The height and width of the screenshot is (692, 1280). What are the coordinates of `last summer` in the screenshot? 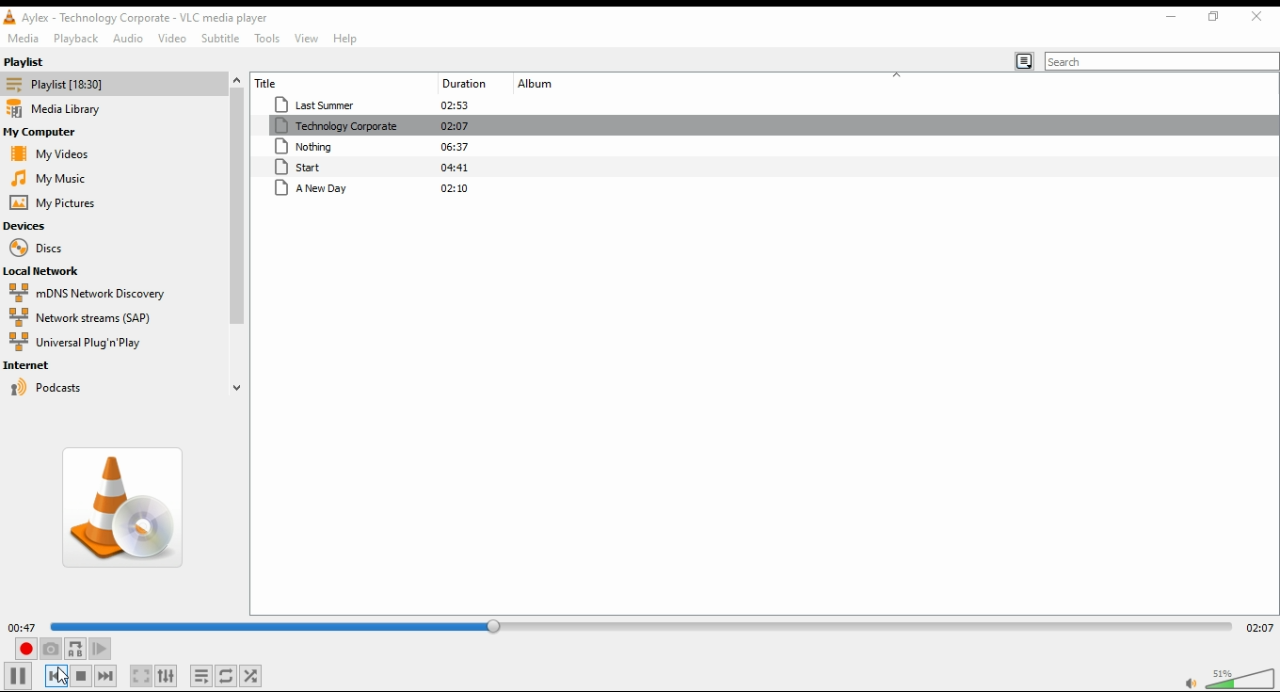 It's located at (324, 104).